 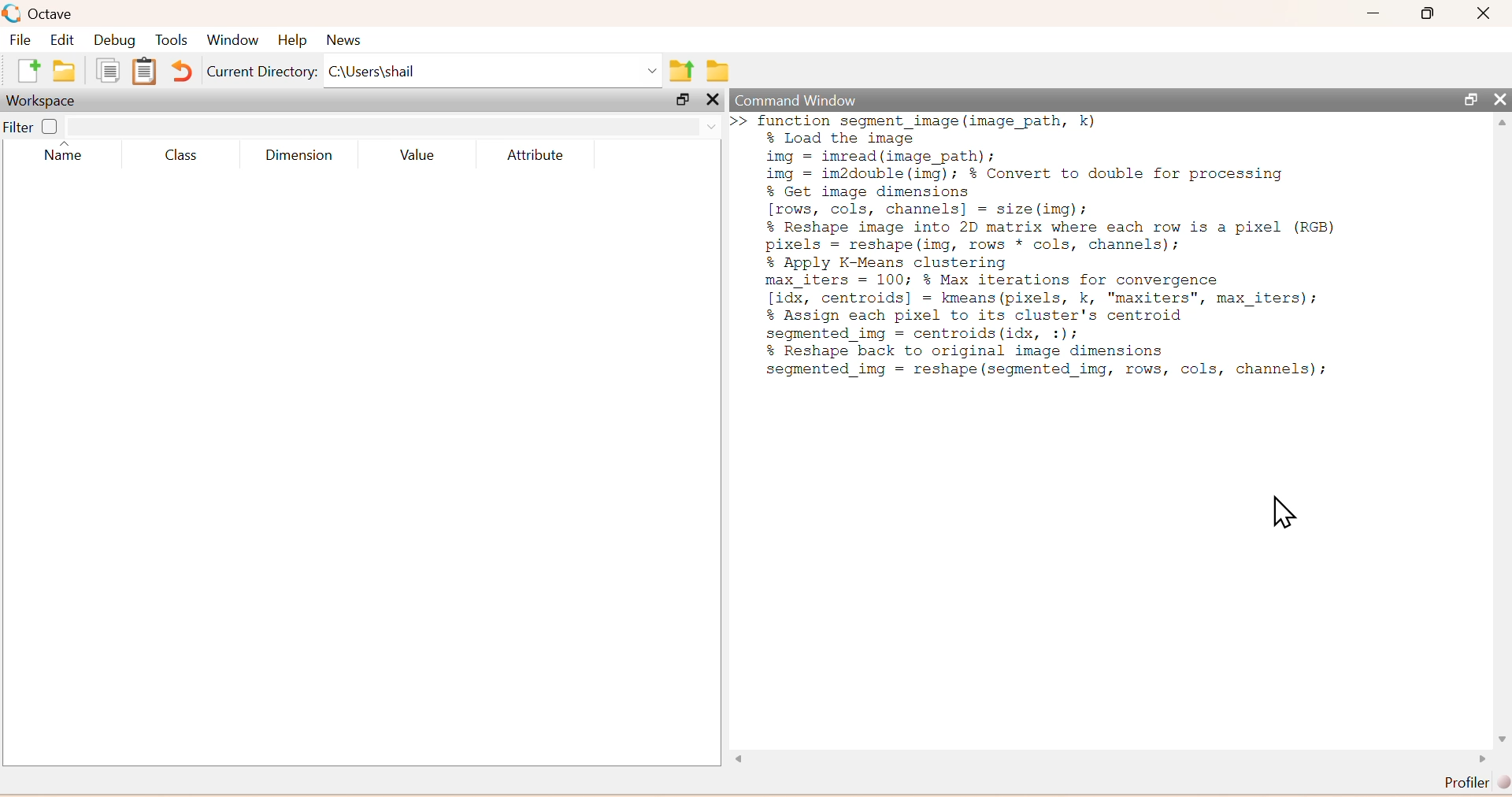 What do you see at coordinates (1496, 100) in the screenshot?
I see `Close` at bounding box center [1496, 100].